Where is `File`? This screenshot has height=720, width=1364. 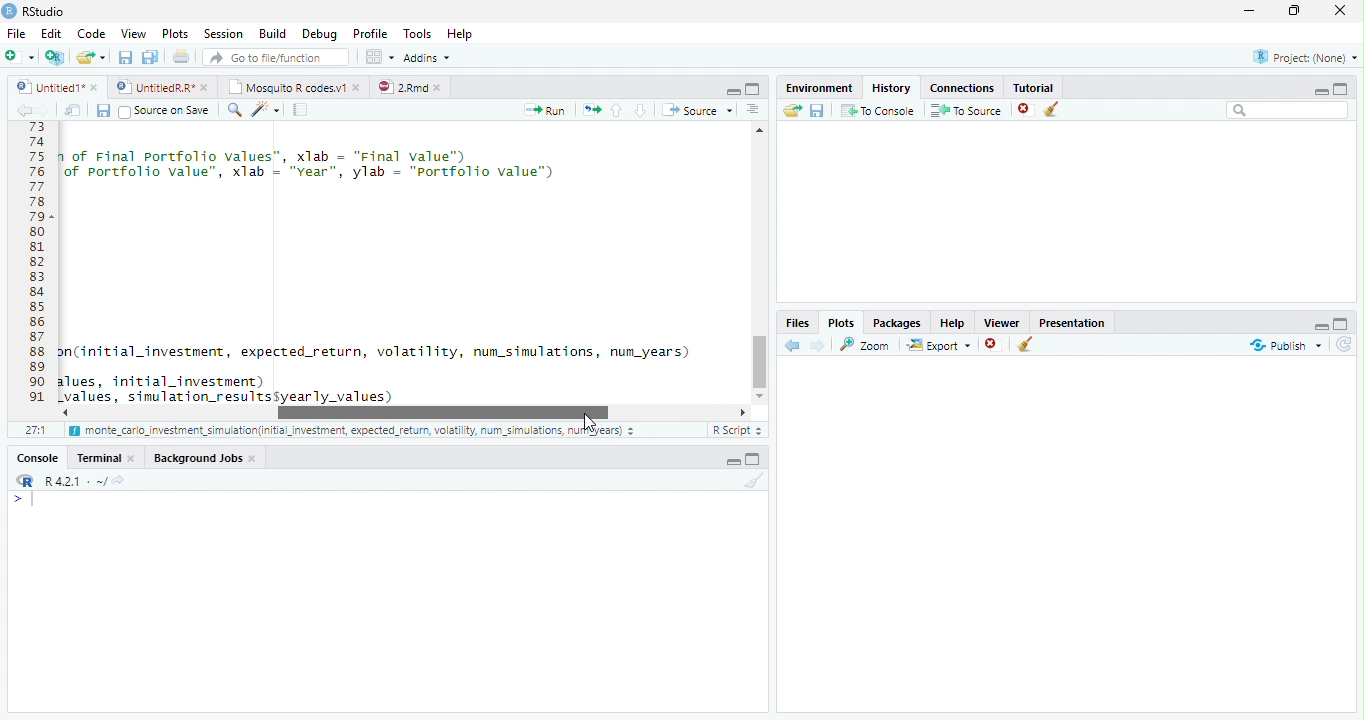 File is located at coordinates (15, 33).